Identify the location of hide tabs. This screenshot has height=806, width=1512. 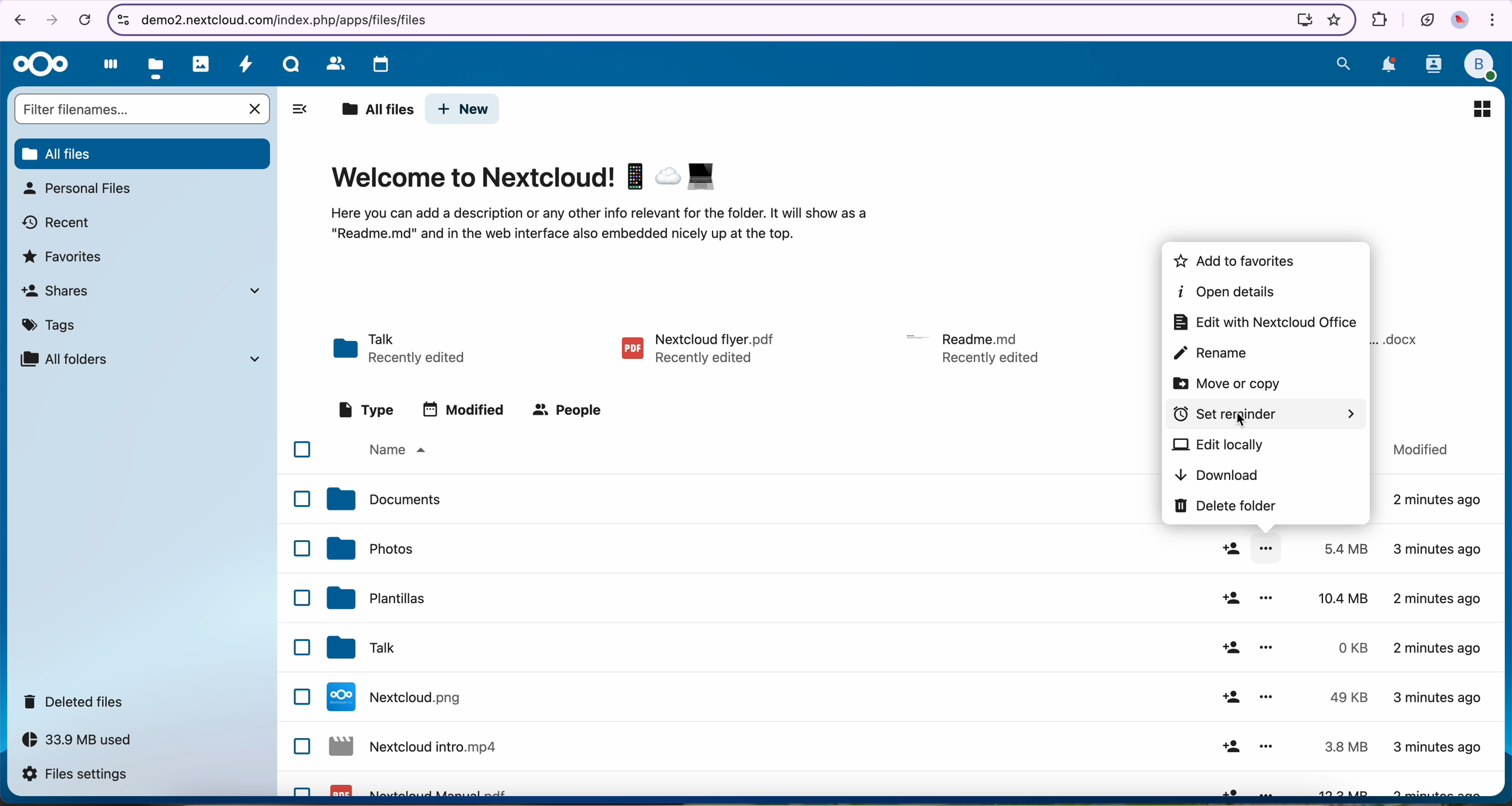
(301, 110).